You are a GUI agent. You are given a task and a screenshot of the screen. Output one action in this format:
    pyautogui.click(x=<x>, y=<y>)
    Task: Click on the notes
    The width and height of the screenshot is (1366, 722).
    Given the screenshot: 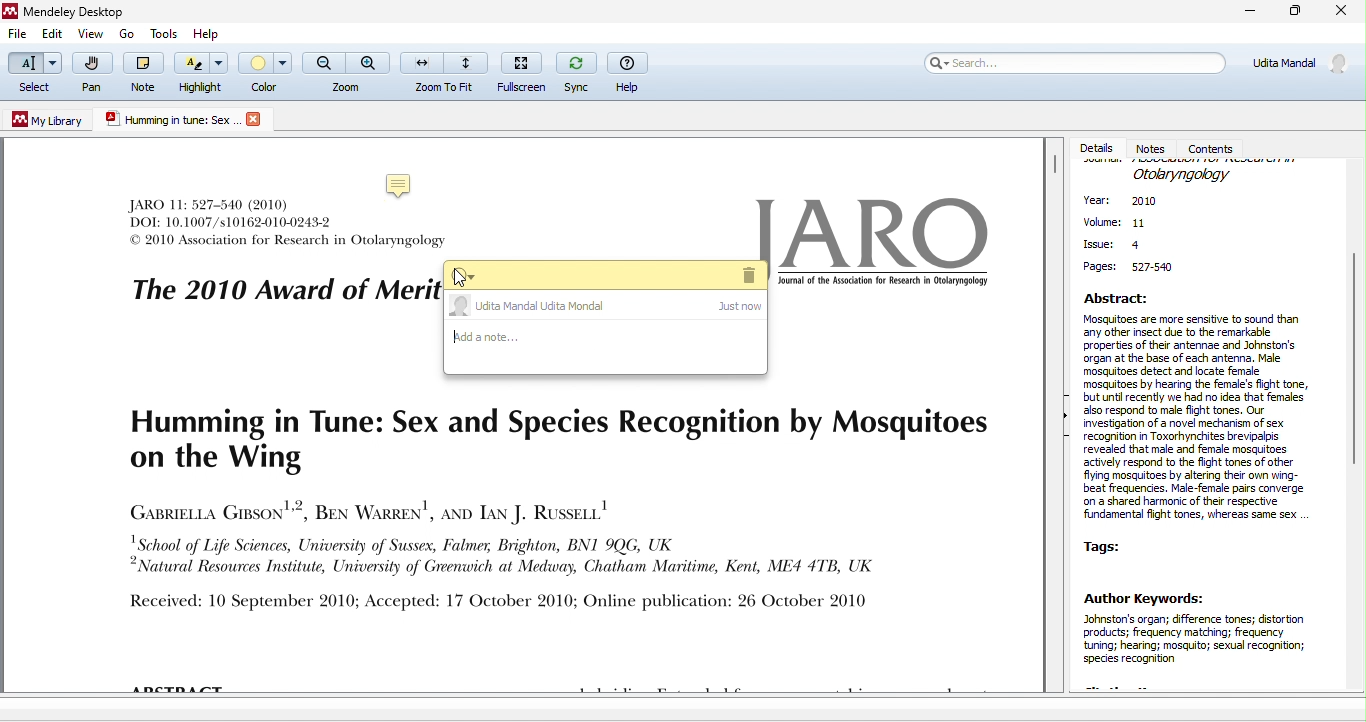 What is the action you would take?
    pyautogui.click(x=1154, y=147)
    